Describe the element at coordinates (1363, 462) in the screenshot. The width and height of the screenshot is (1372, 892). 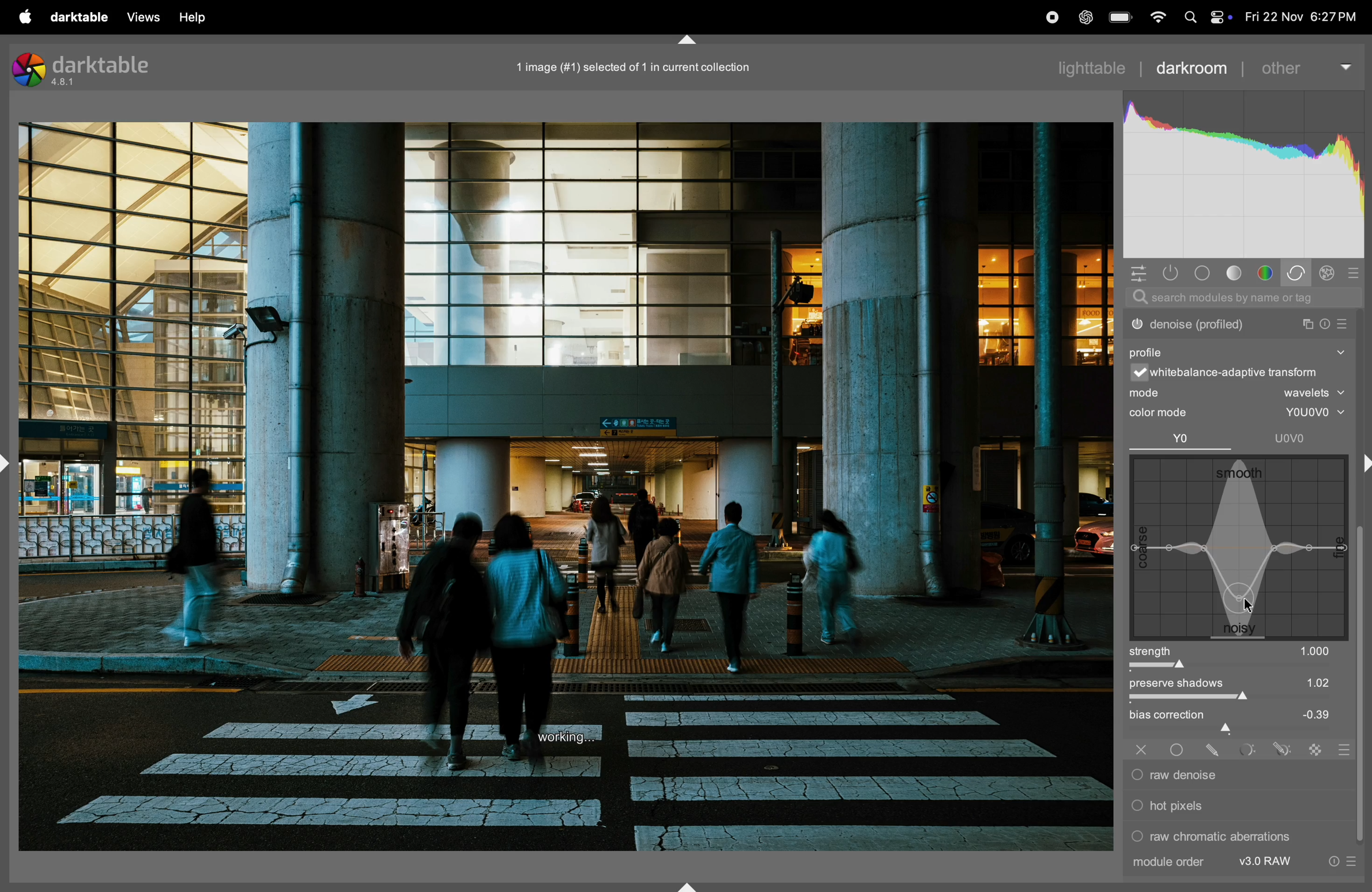
I see `shift+ctrl+r` at that location.